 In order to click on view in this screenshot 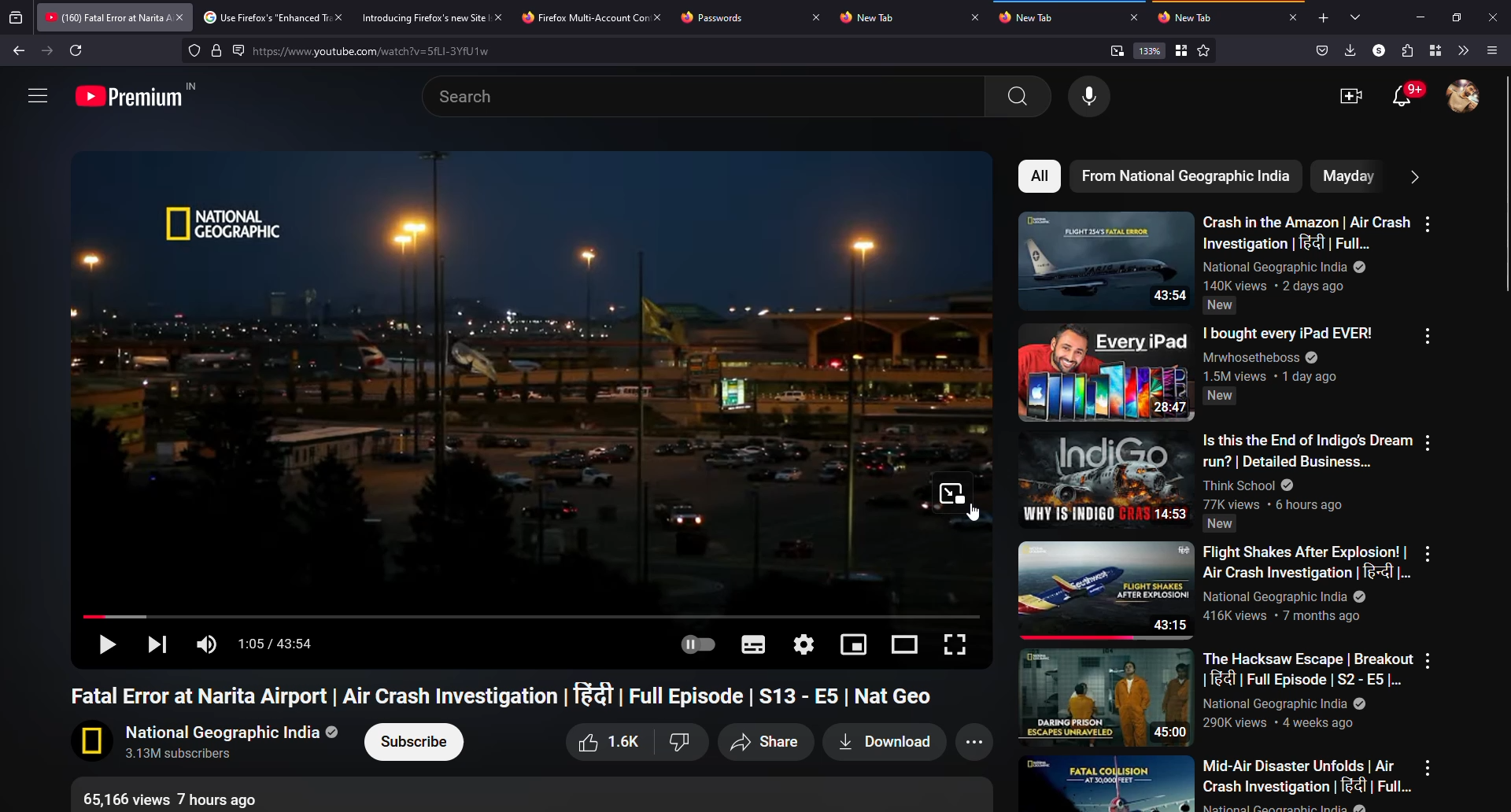, I will do `click(1116, 50)`.